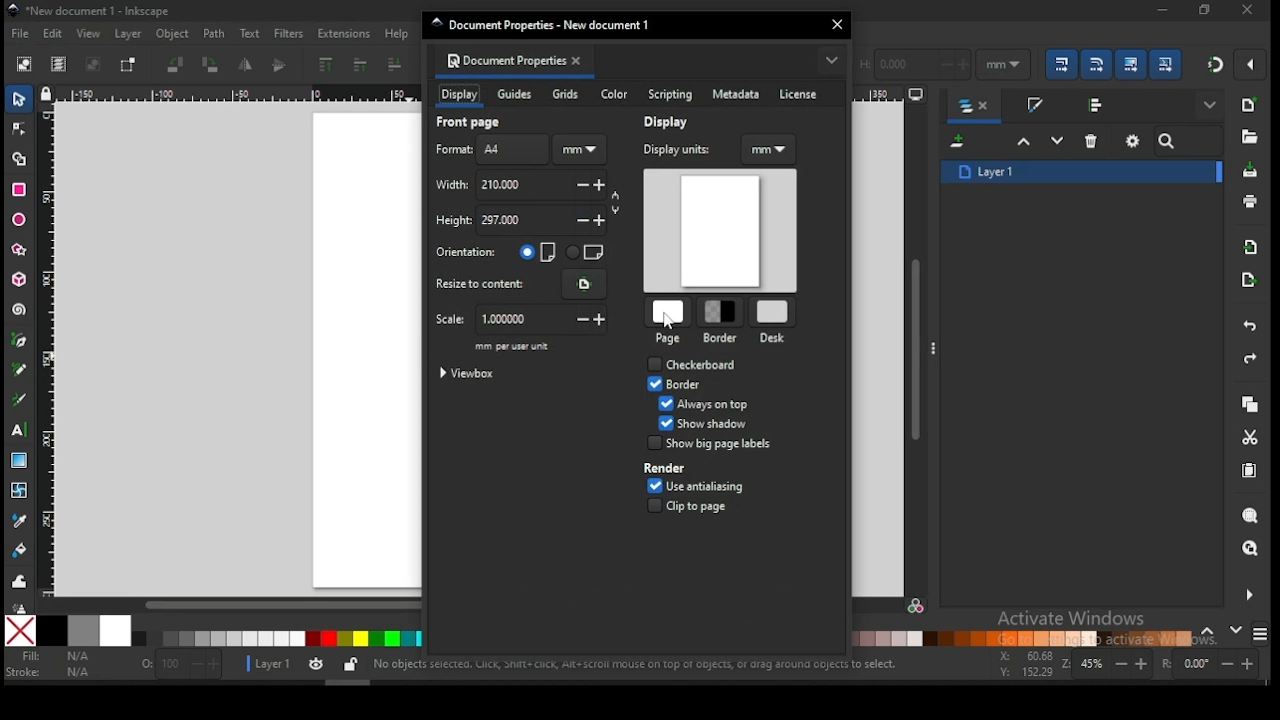 This screenshot has width=1280, height=720. What do you see at coordinates (49, 671) in the screenshot?
I see `stroke color` at bounding box center [49, 671].